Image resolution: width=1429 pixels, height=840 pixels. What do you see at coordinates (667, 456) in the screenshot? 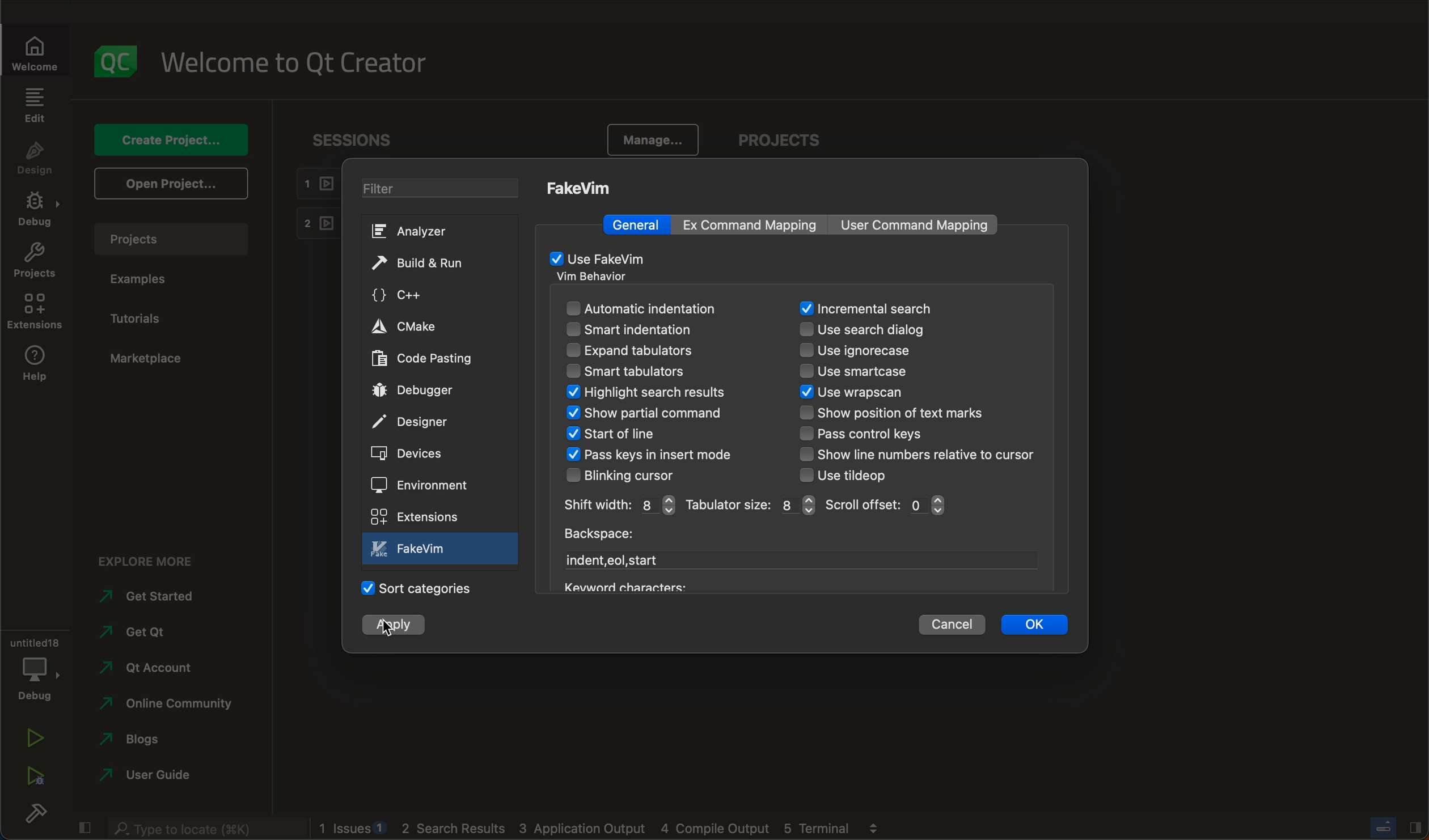
I see `keys in insert mode` at bounding box center [667, 456].